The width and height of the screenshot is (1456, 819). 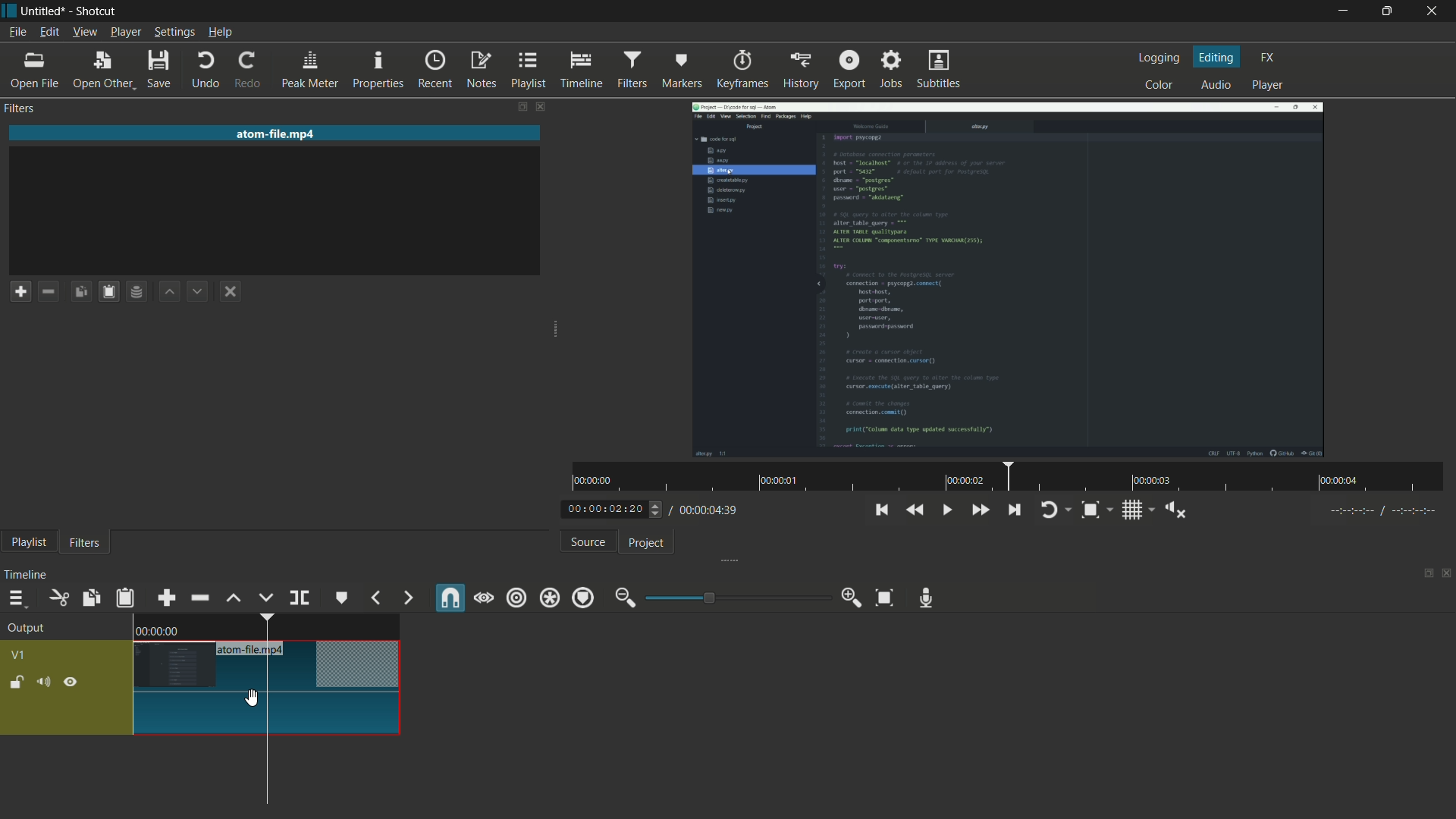 What do you see at coordinates (165, 598) in the screenshot?
I see `append` at bounding box center [165, 598].